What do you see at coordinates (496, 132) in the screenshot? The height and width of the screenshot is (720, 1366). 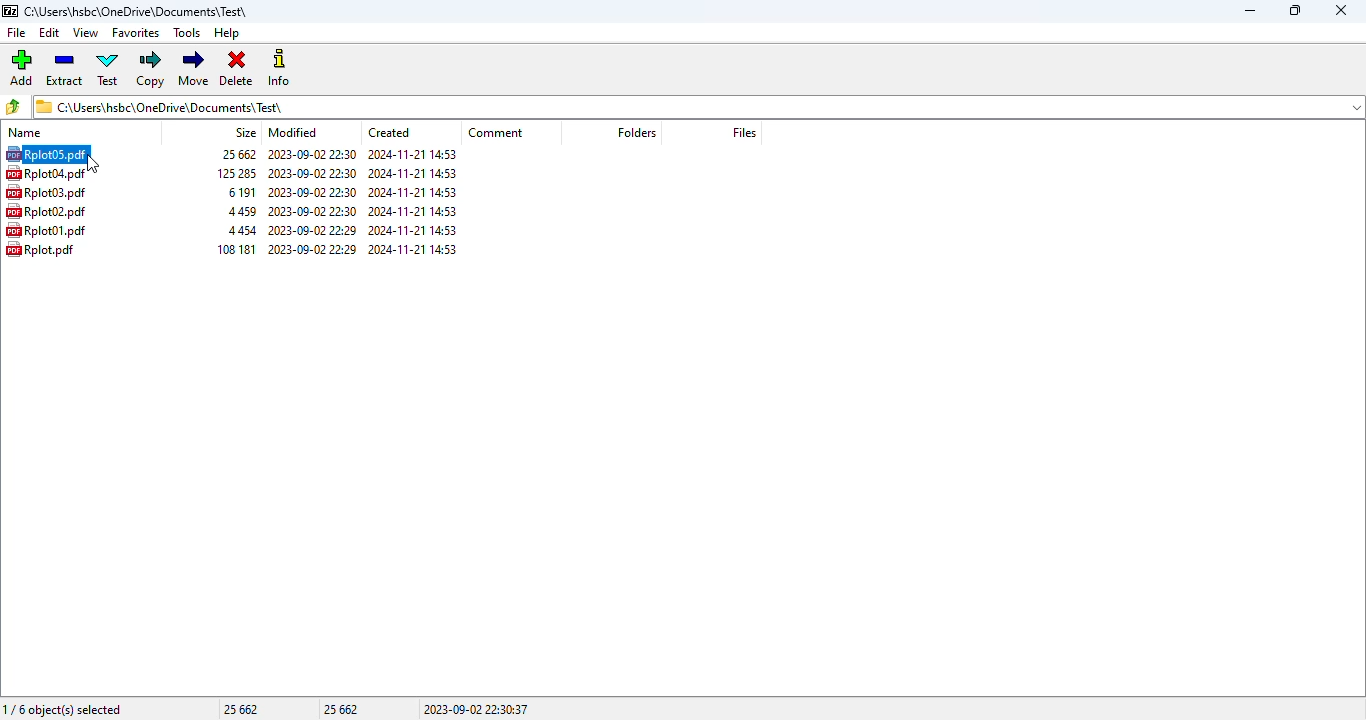 I see `comment` at bounding box center [496, 132].